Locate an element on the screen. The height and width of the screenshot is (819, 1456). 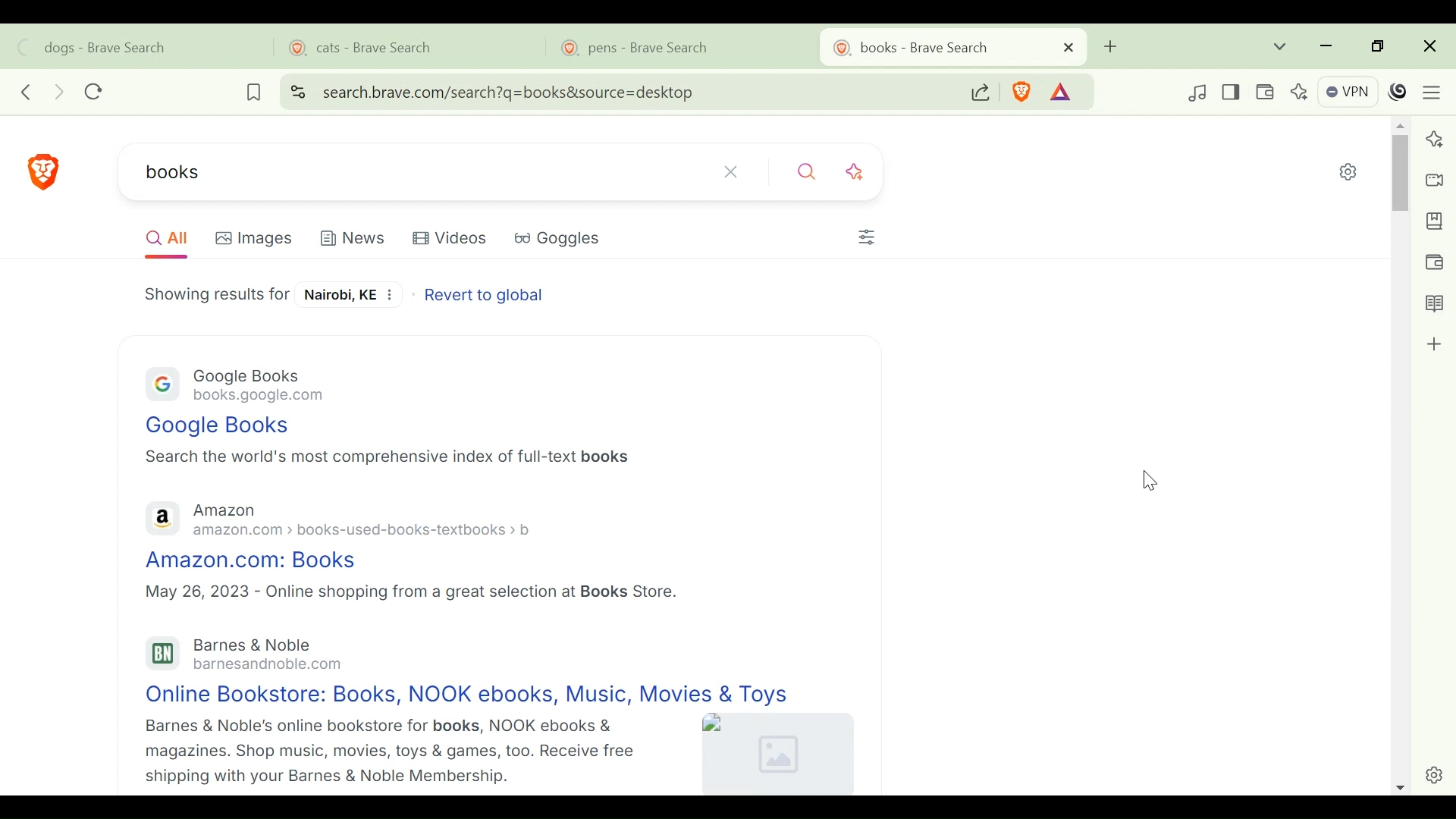
Bookmark is located at coordinates (1436, 218).